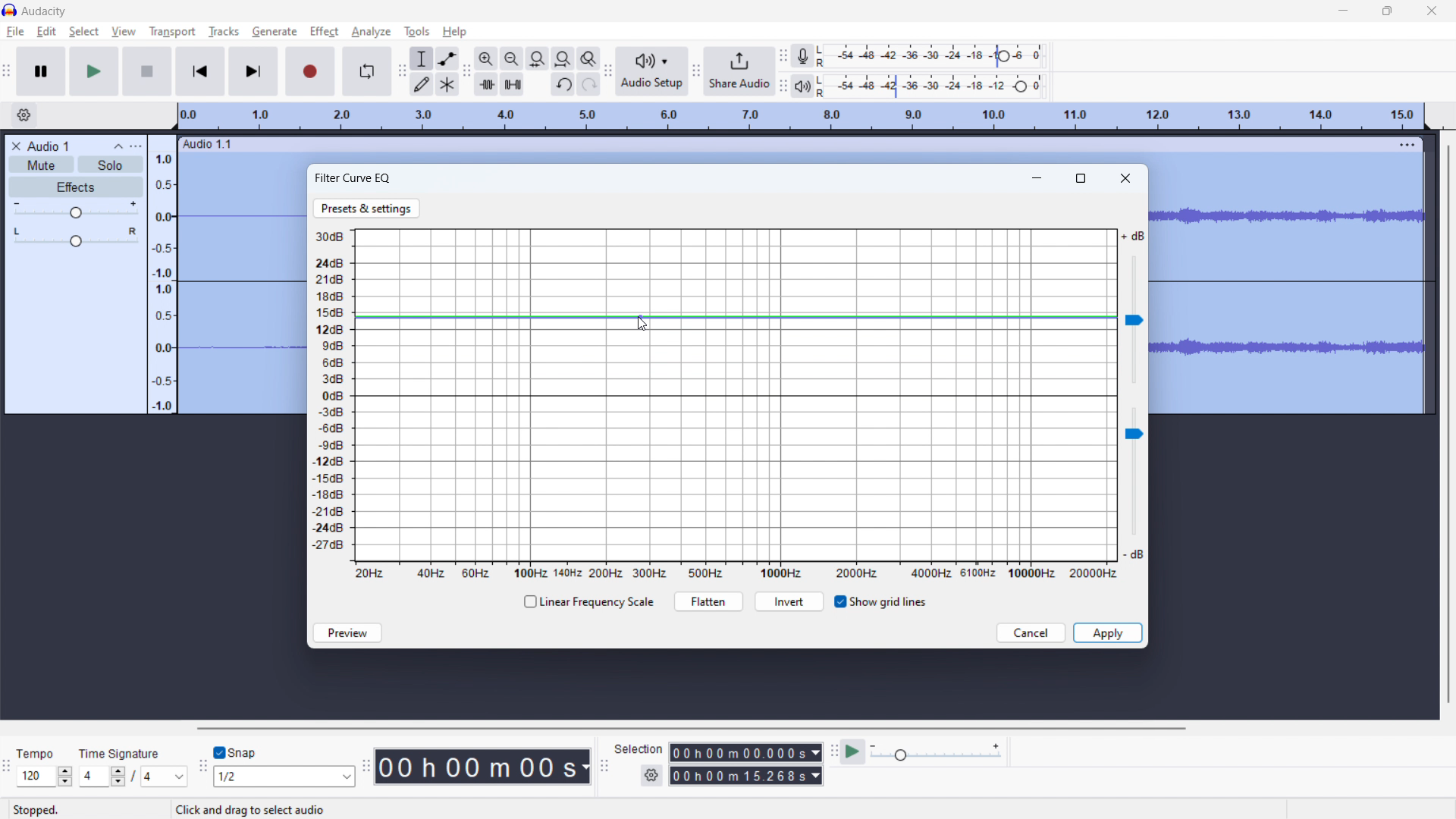 This screenshot has height=819, width=1456. What do you see at coordinates (936, 86) in the screenshot?
I see `playback level` at bounding box center [936, 86].